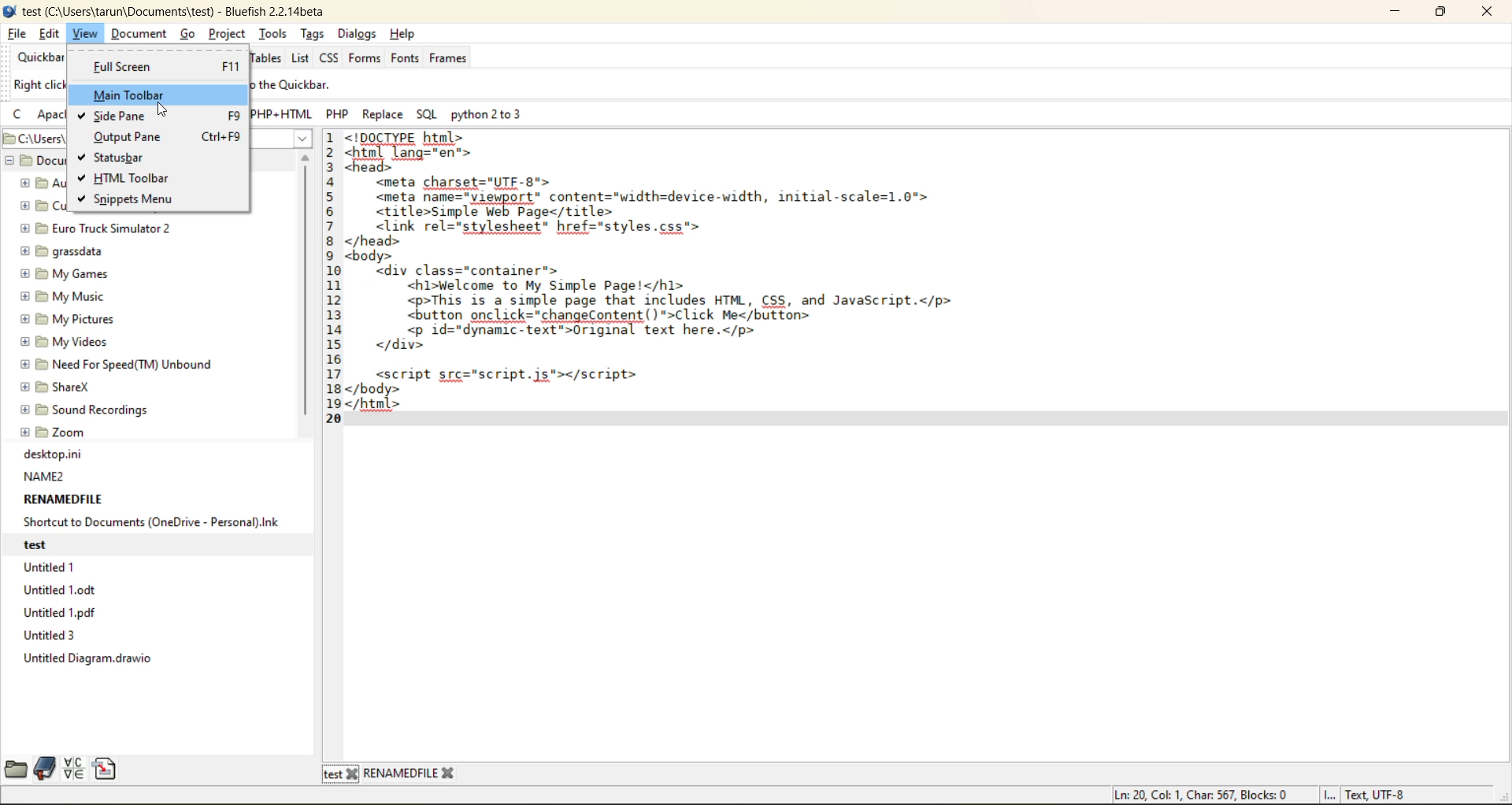  I want to click on minimize, so click(1394, 13).